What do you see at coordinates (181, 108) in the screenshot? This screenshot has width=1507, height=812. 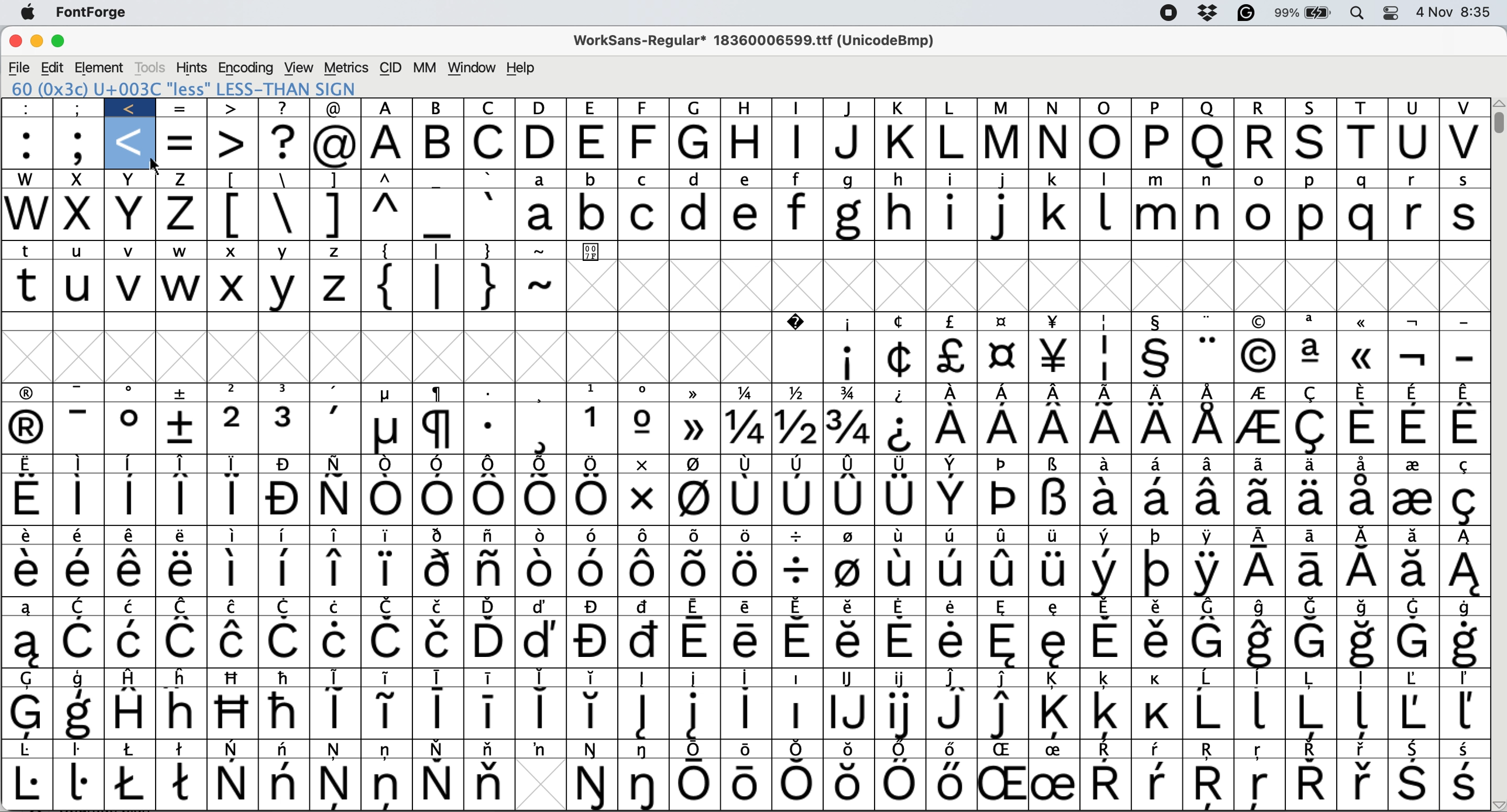 I see `=` at bounding box center [181, 108].